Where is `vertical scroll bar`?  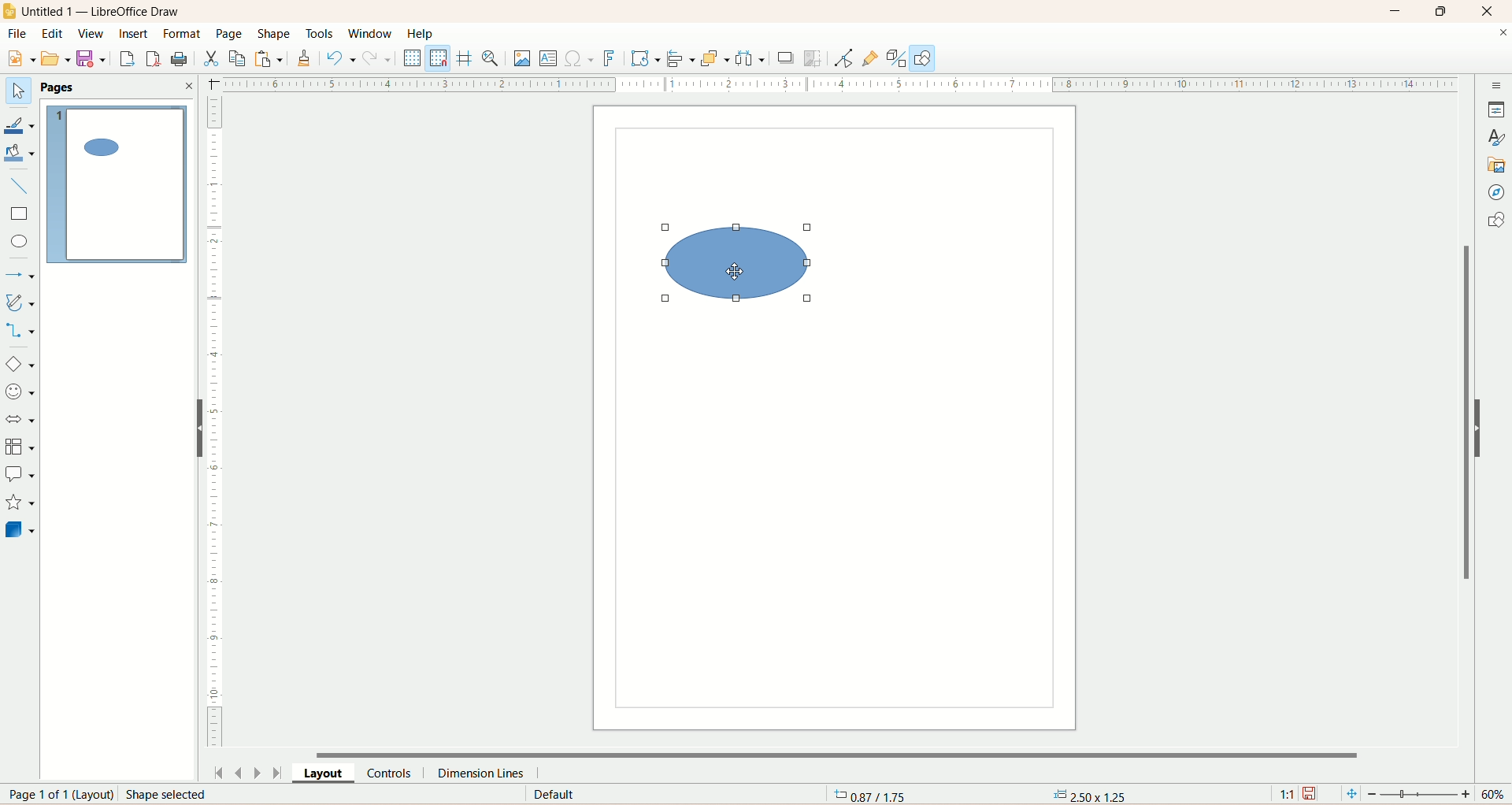 vertical scroll bar is located at coordinates (1462, 421).